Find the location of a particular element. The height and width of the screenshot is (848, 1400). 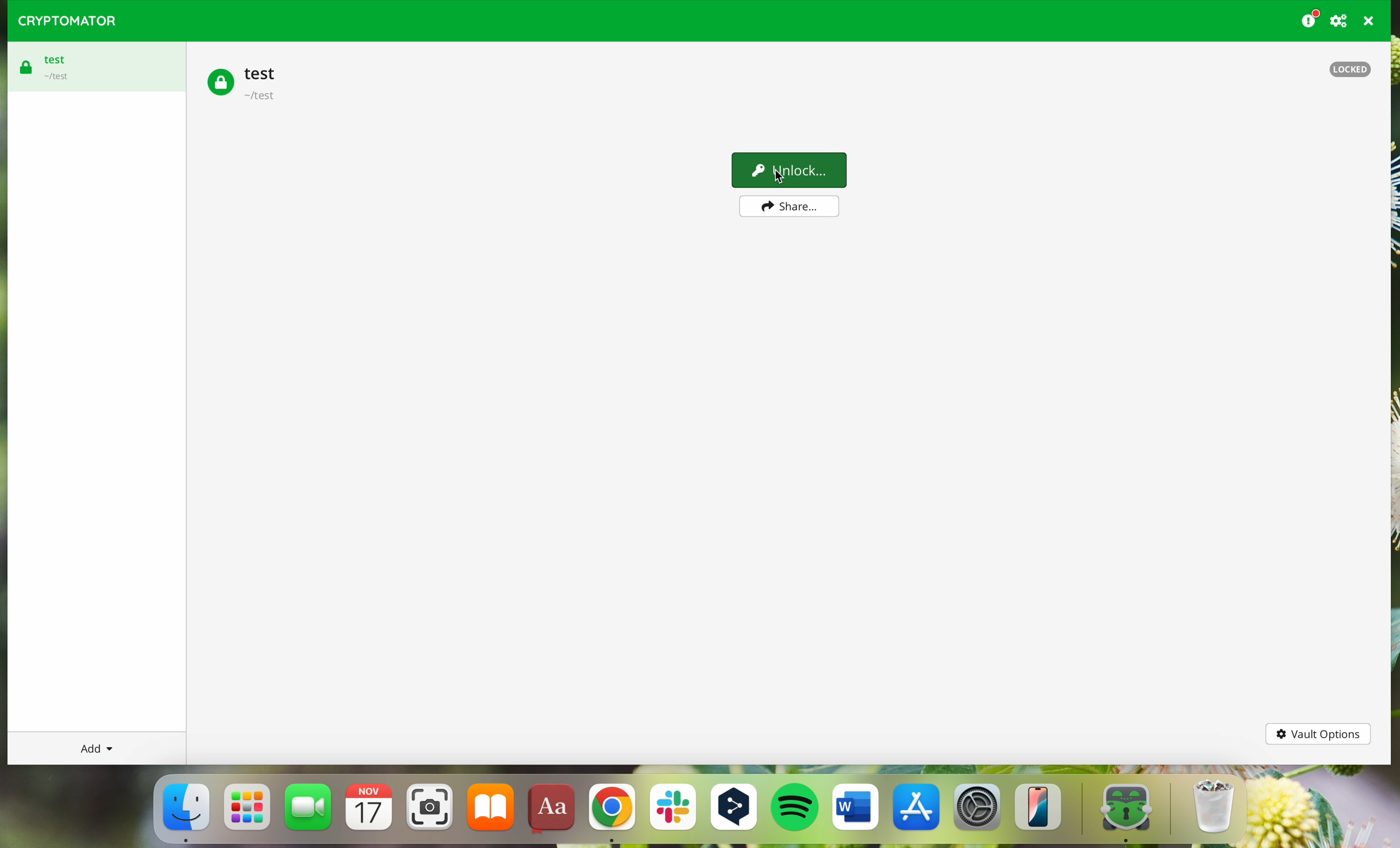

Slack is located at coordinates (672, 812).